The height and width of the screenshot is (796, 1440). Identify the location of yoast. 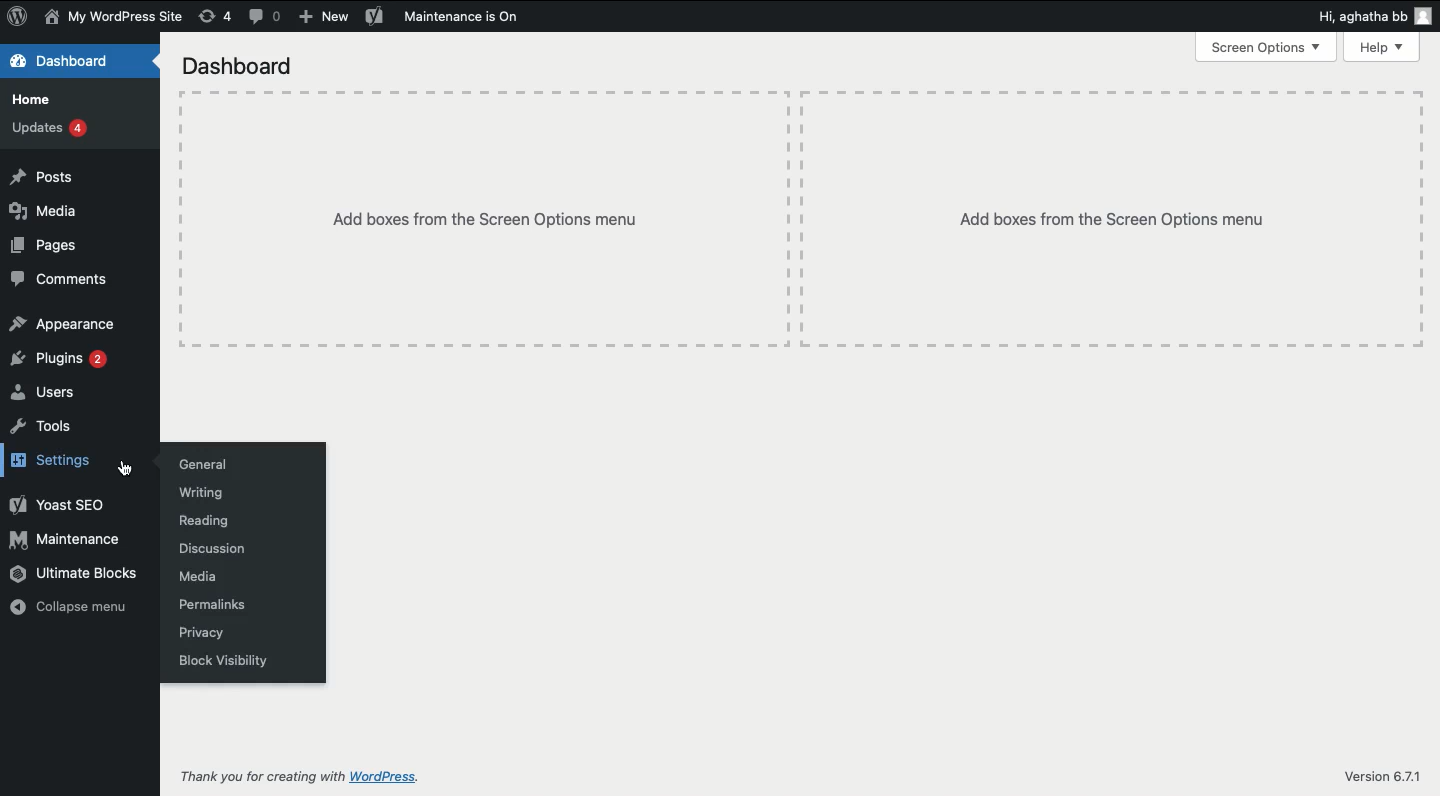
(374, 17).